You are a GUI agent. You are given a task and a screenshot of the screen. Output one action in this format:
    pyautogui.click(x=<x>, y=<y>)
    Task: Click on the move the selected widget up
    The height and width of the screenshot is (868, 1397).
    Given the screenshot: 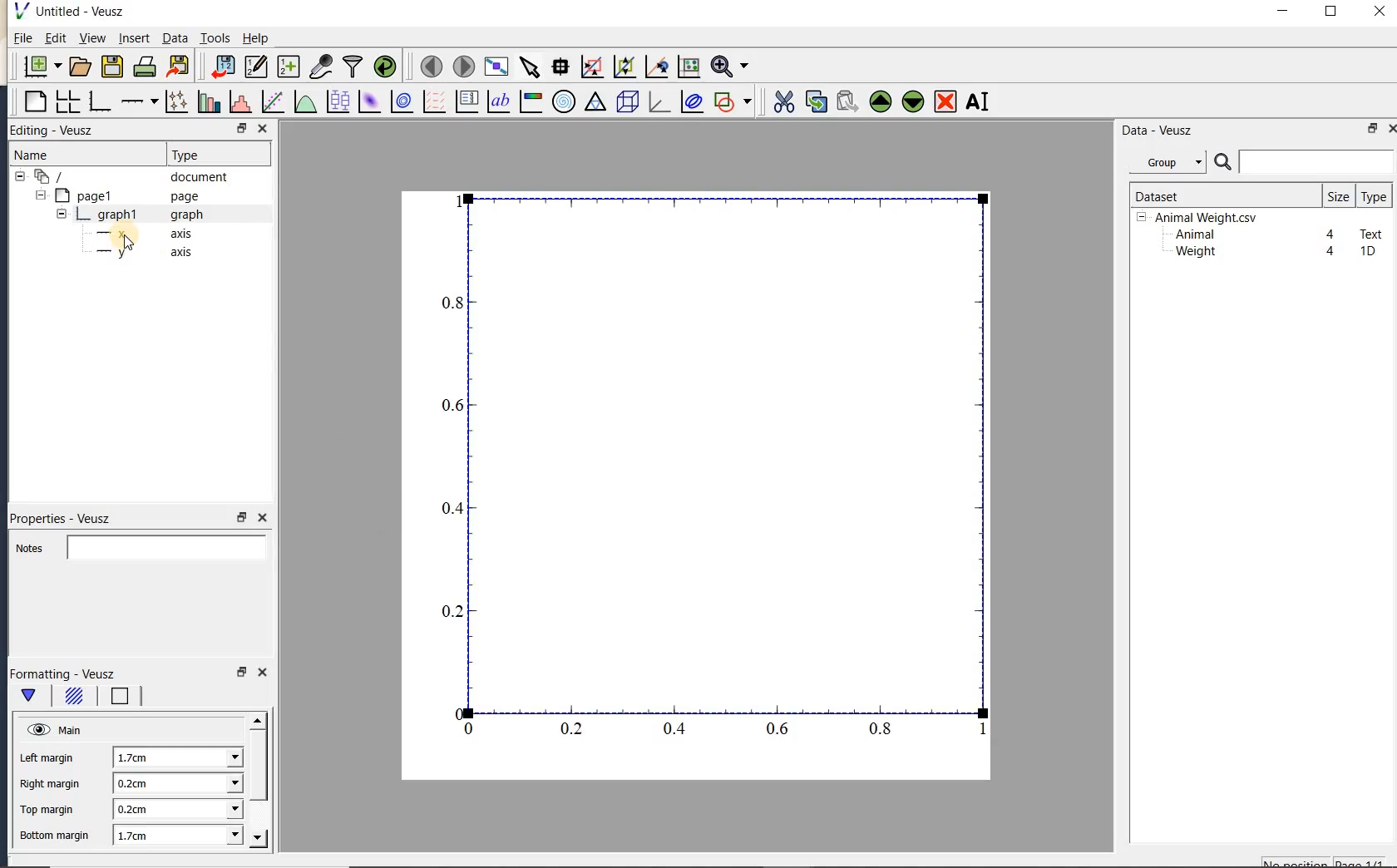 What is the action you would take?
    pyautogui.click(x=881, y=102)
    